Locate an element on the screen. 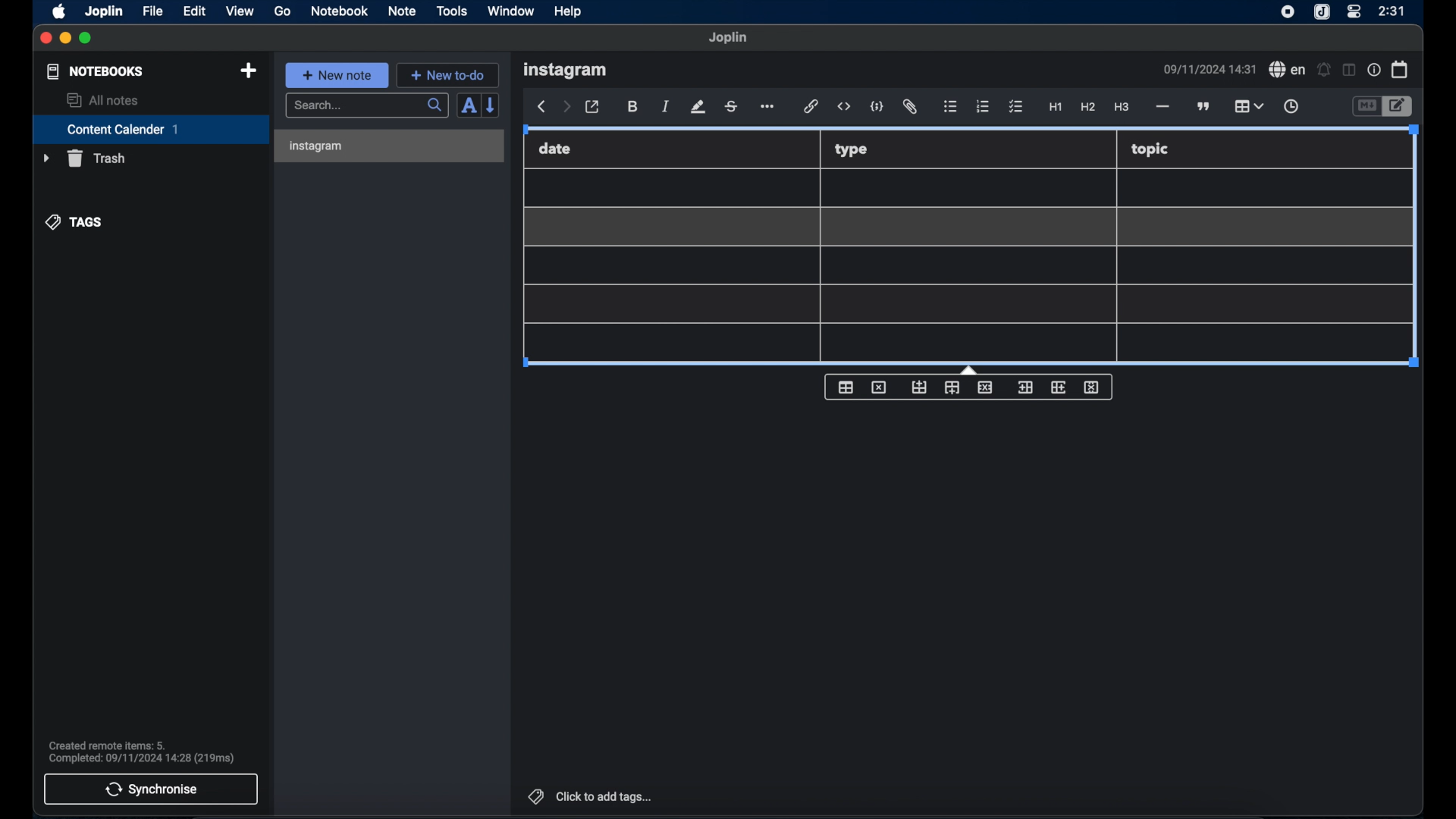 The image size is (1456, 819). set alarm is located at coordinates (1324, 69).